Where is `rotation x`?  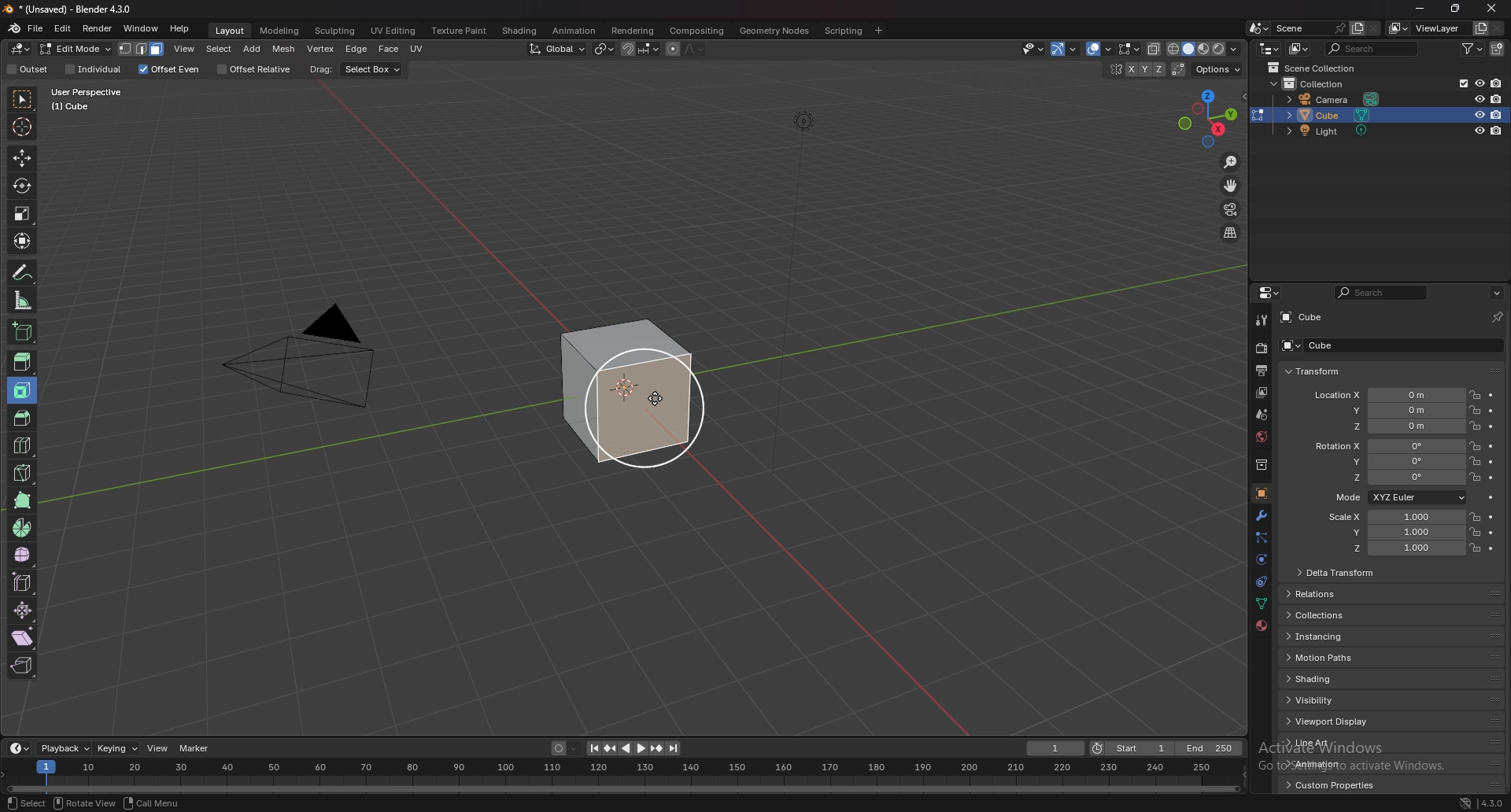 rotation x is located at coordinates (1388, 446).